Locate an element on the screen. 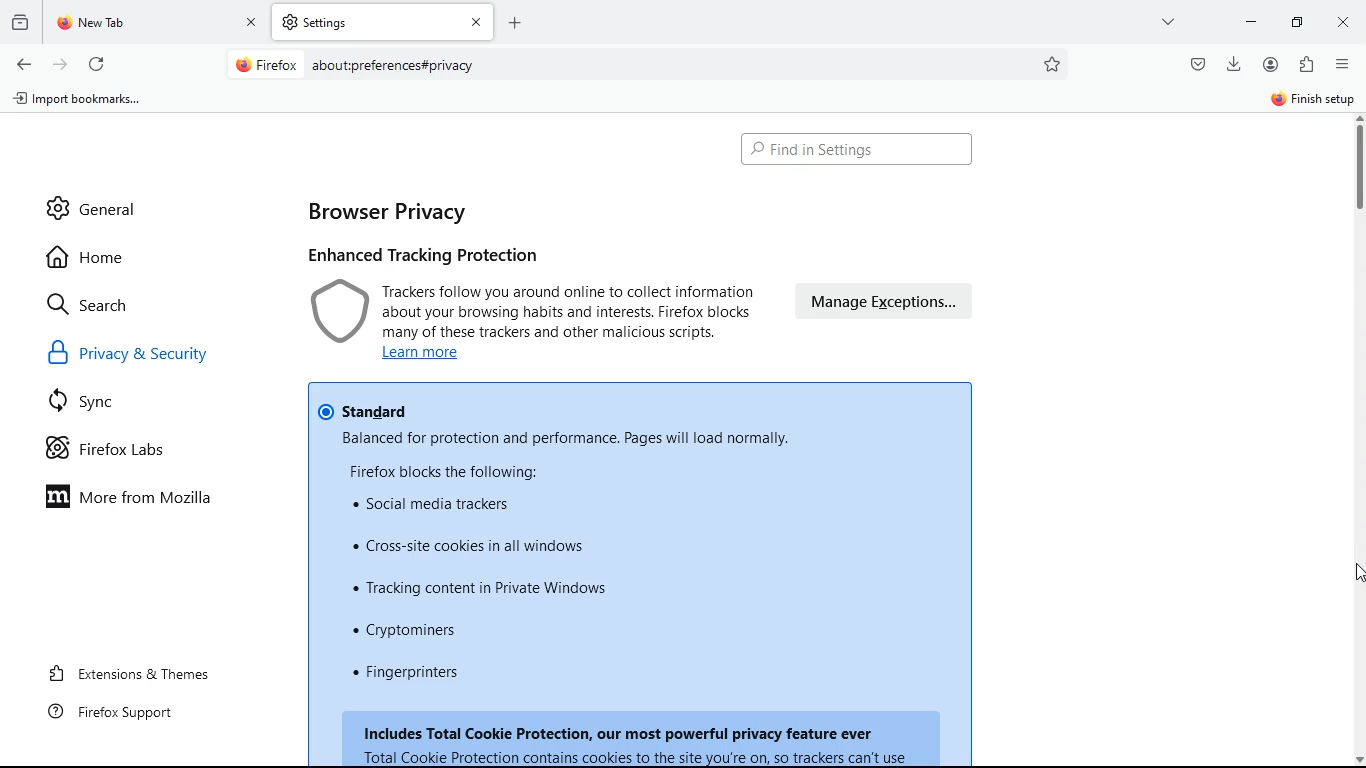 The width and height of the screenshot is (1366, 768). forward is located at coordinates (60, 63).